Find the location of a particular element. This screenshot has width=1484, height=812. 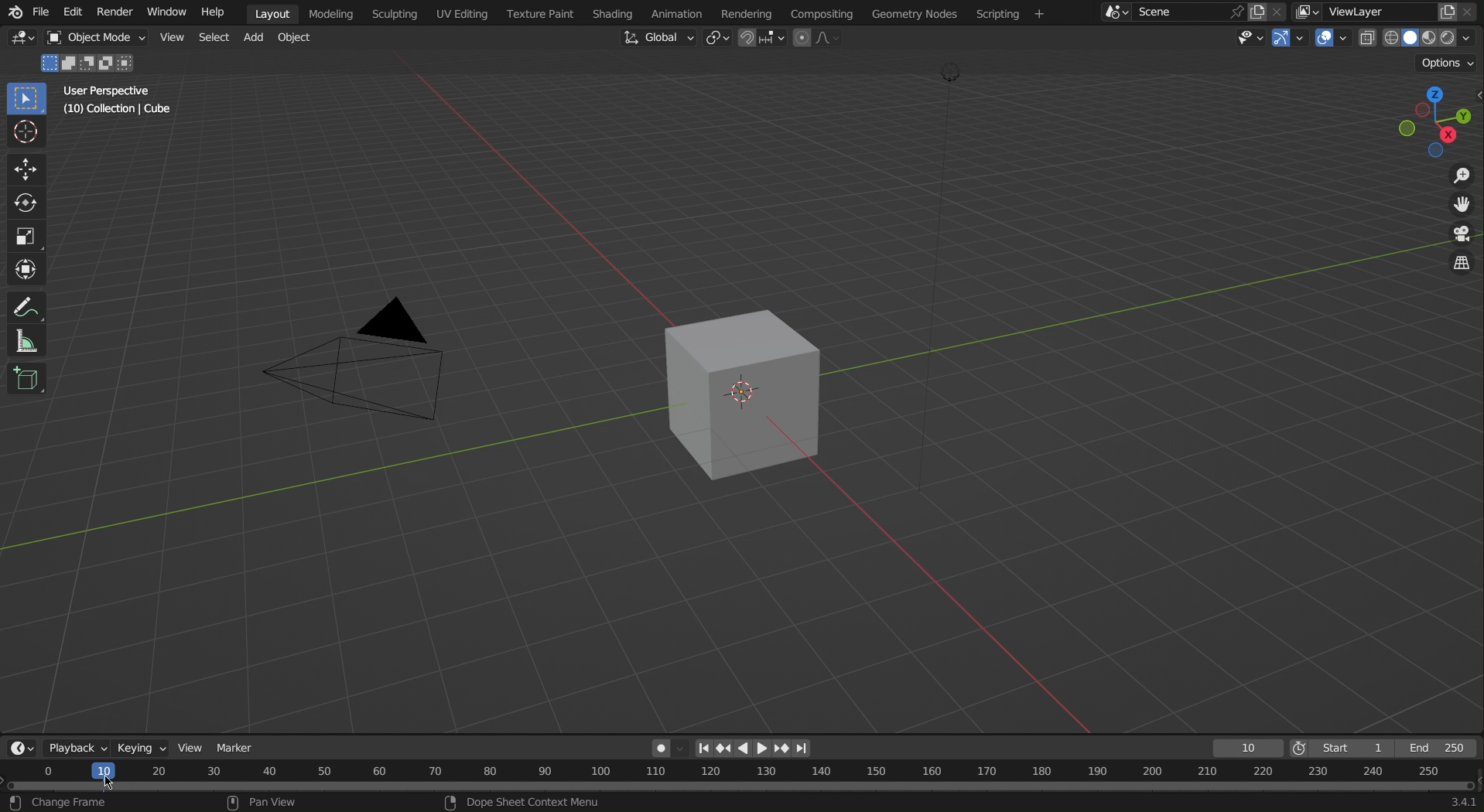

Measure is located at coordinates (24, 343).